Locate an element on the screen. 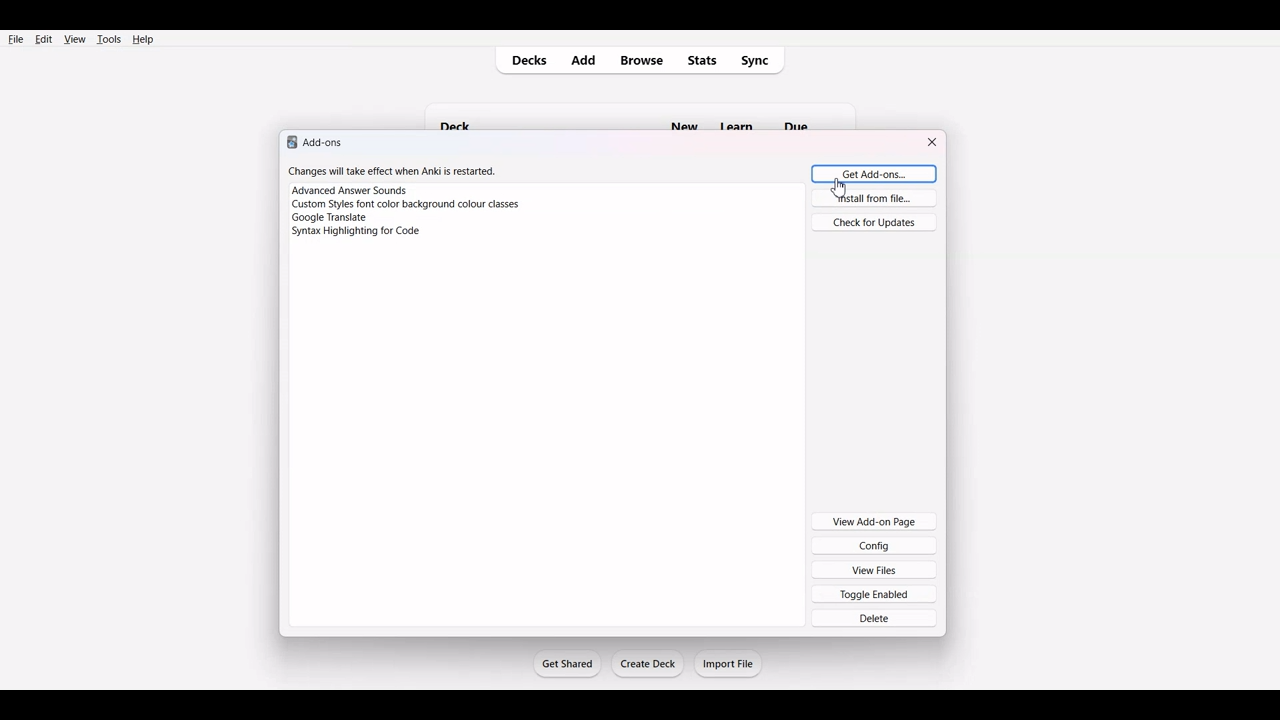  Delete is located at coordinates (875, 618).